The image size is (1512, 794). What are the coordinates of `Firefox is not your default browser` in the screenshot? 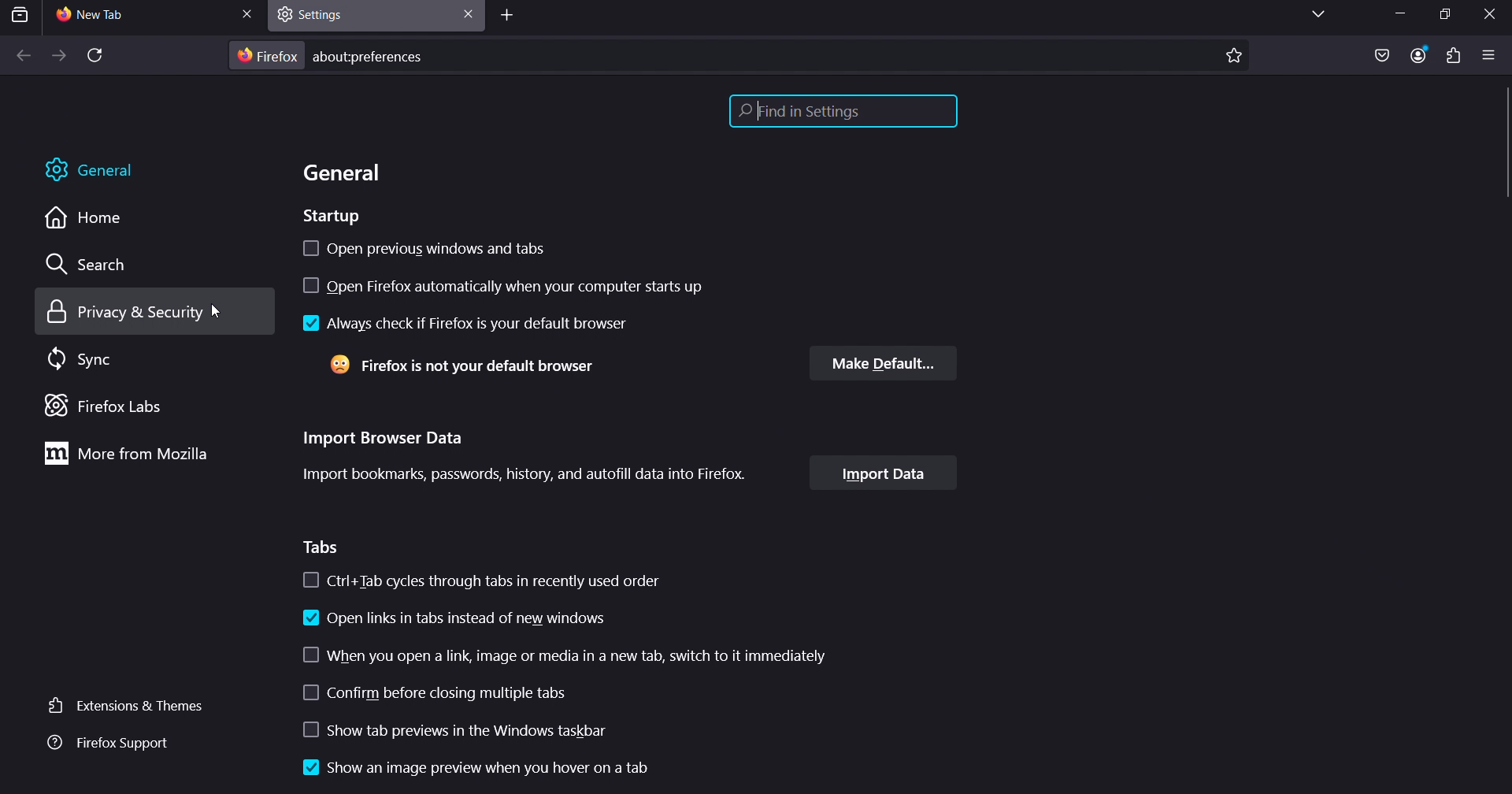 It's located at (464, 364).